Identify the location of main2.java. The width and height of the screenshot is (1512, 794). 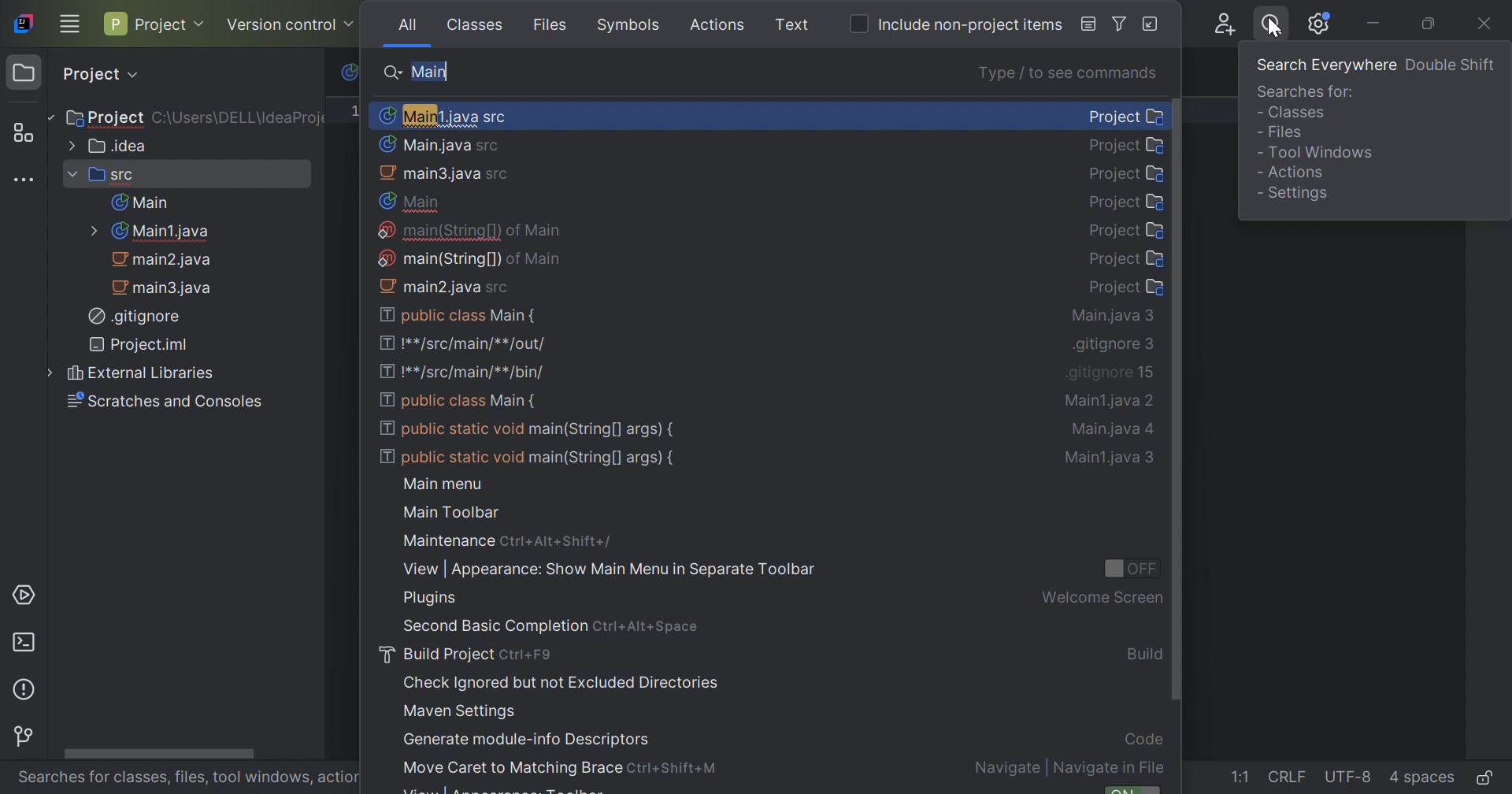
(165, 260).